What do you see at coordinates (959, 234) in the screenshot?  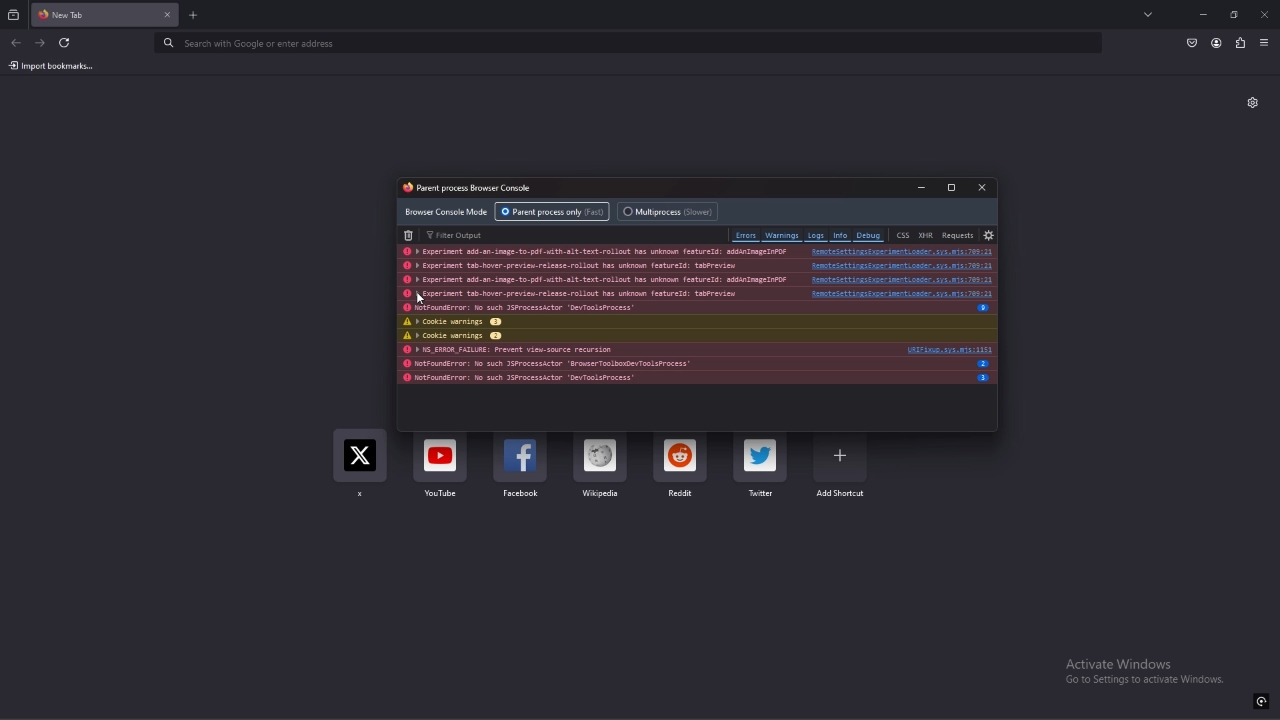 I see `requests` at bounding box center [959, 234].